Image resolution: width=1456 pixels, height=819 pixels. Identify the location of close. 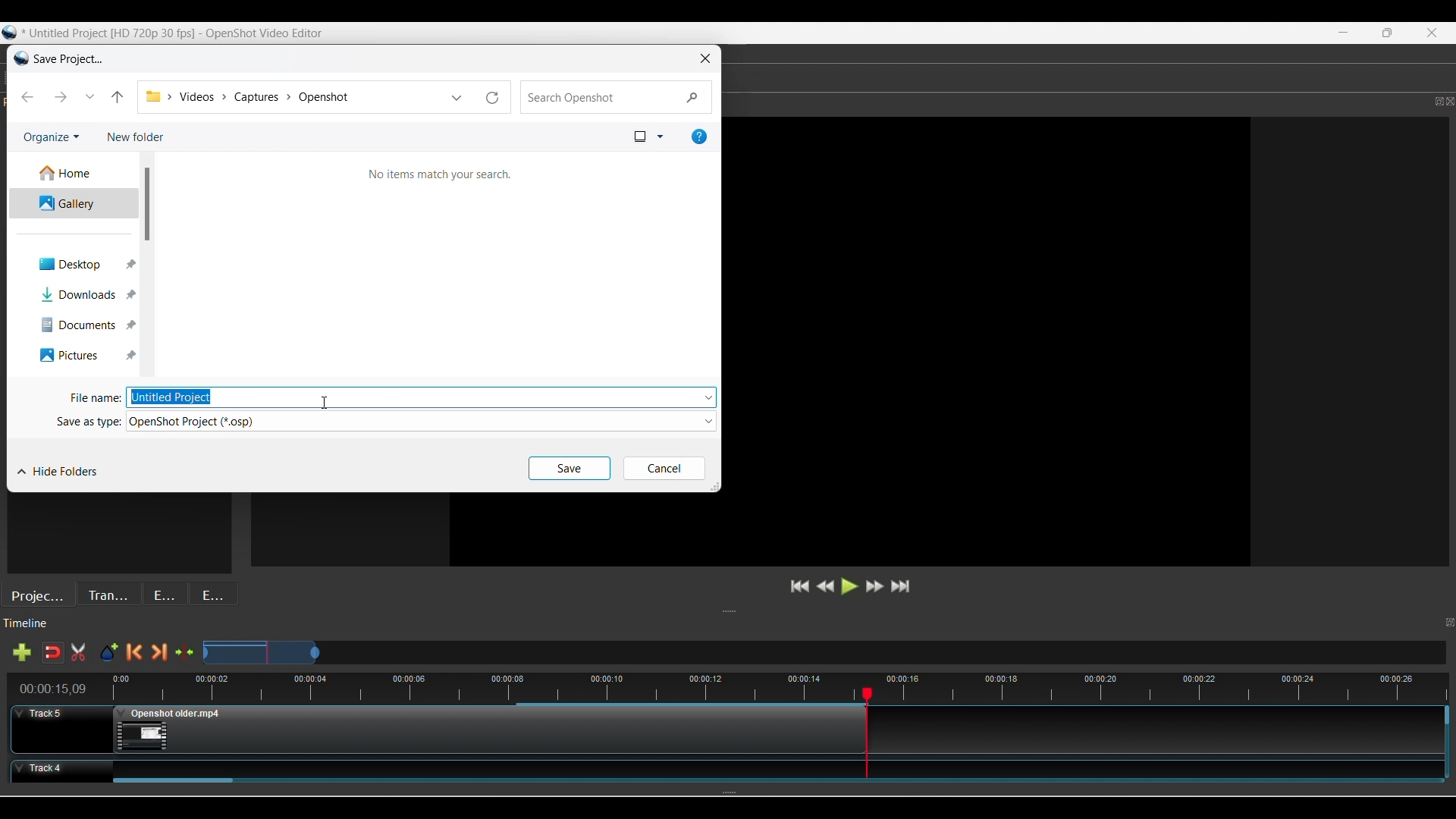
(1447, 102).